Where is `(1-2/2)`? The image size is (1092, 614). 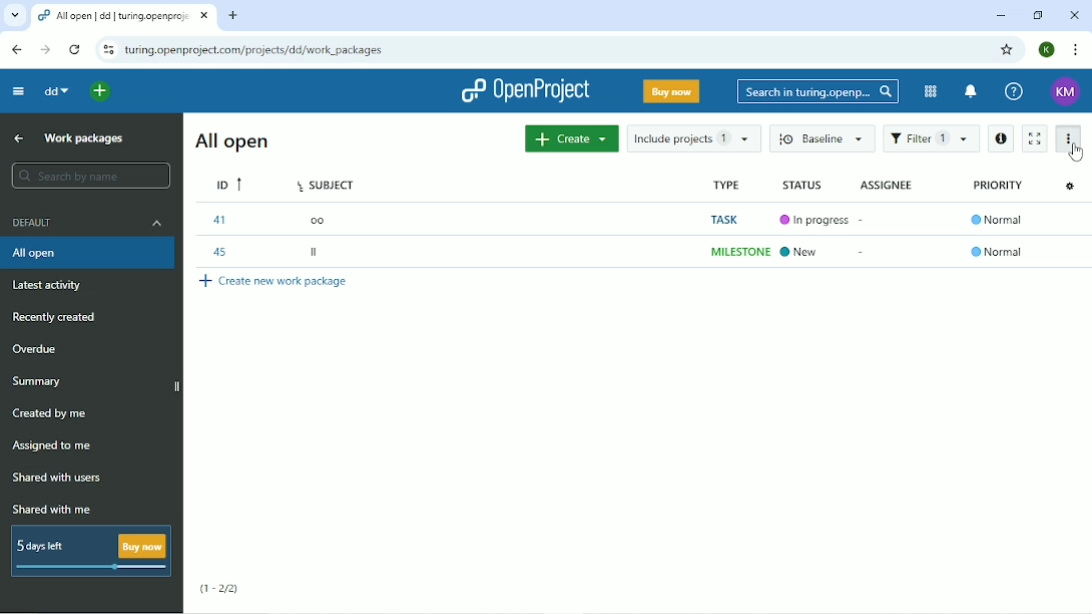
(1-2/2) is located at coordinates (223, 587).